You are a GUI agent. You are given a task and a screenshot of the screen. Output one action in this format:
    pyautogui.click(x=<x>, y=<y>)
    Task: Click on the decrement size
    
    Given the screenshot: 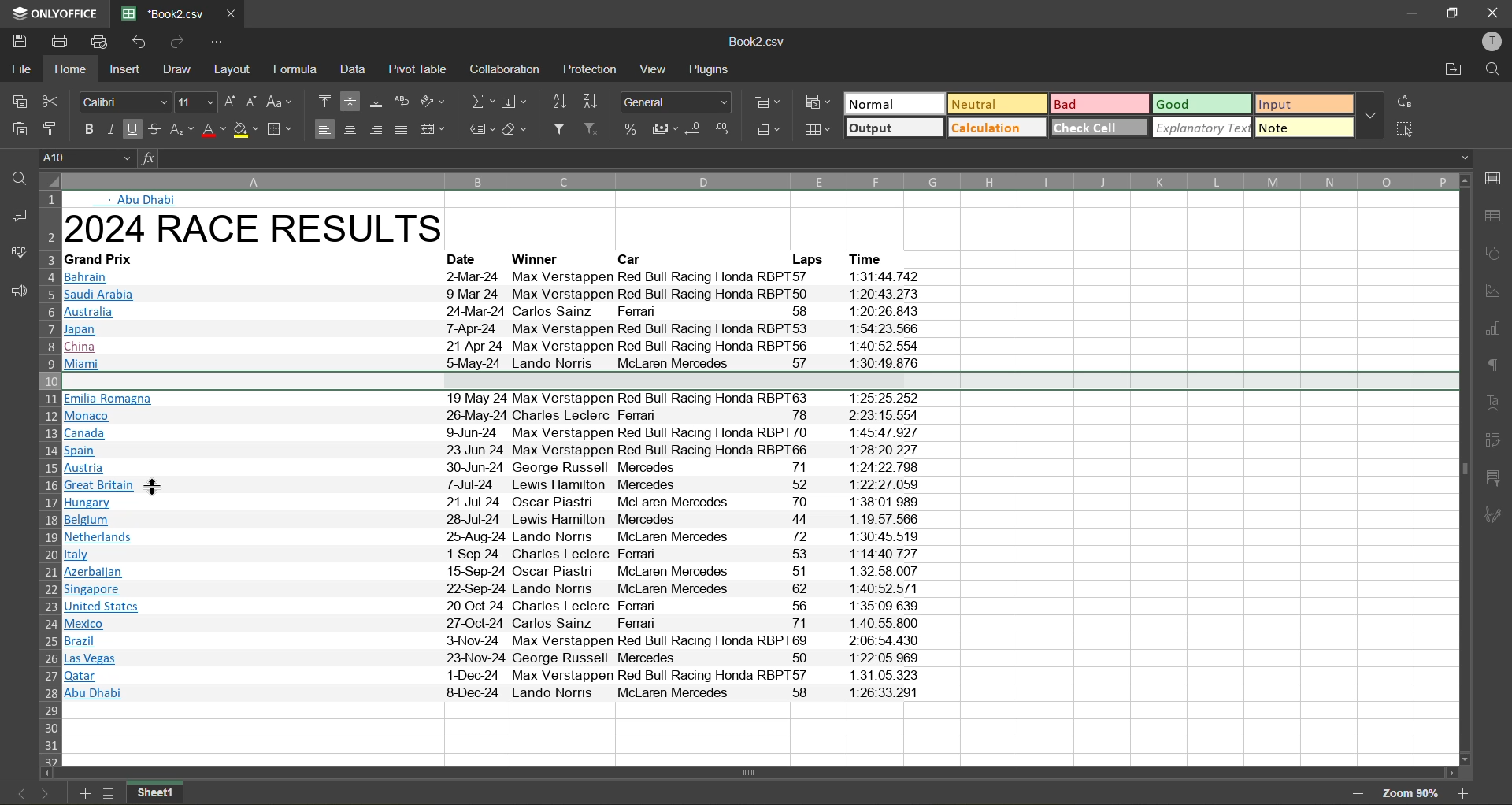 What is the action you would take?
    pyautogui.click(x=252, y=102)
    